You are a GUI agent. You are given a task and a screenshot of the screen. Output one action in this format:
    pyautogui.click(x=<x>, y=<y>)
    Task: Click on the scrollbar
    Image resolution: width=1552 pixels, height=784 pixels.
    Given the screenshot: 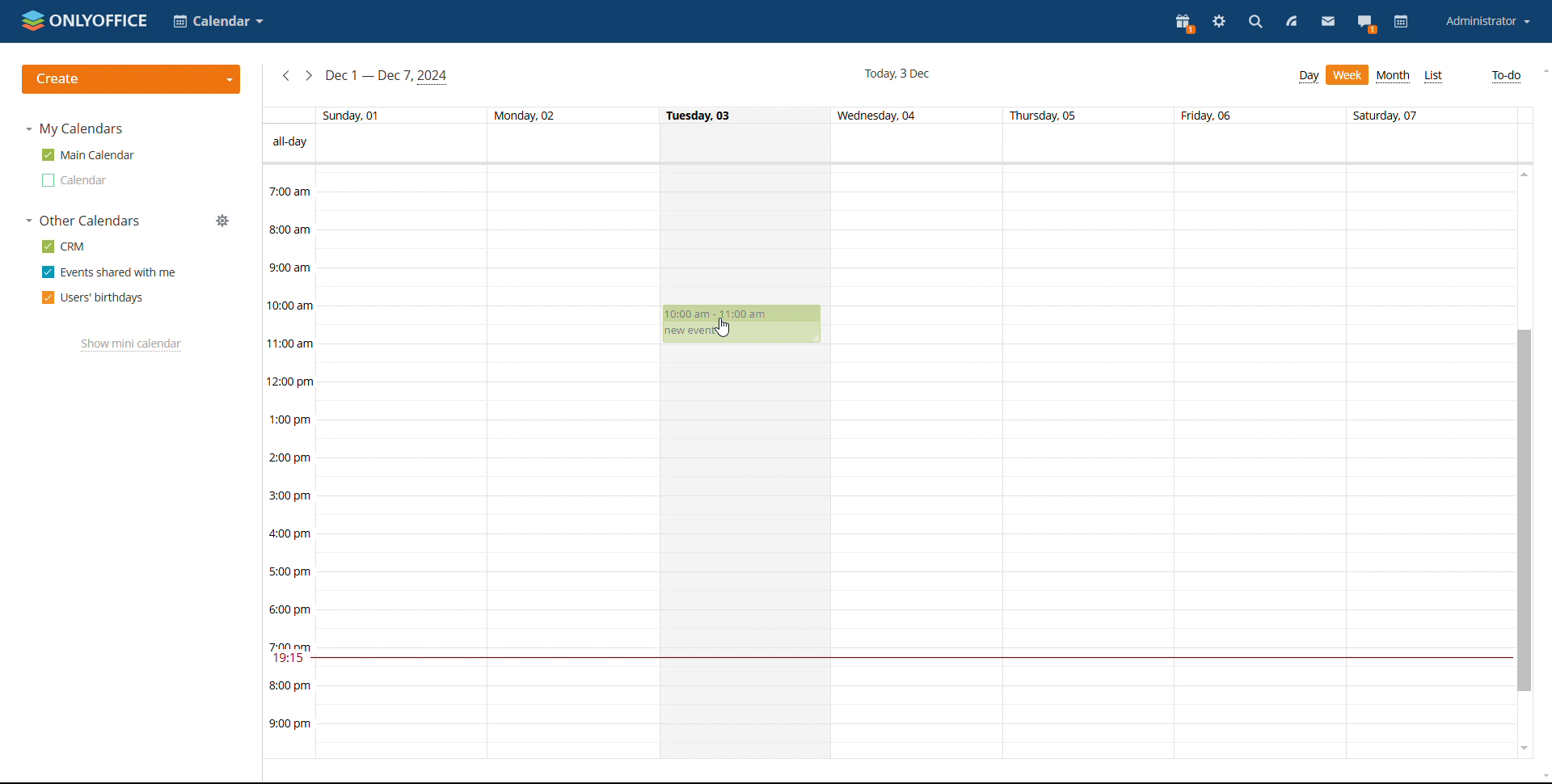 What is the action you would take?
    pyautogui.click(x=1526, y=512)
    